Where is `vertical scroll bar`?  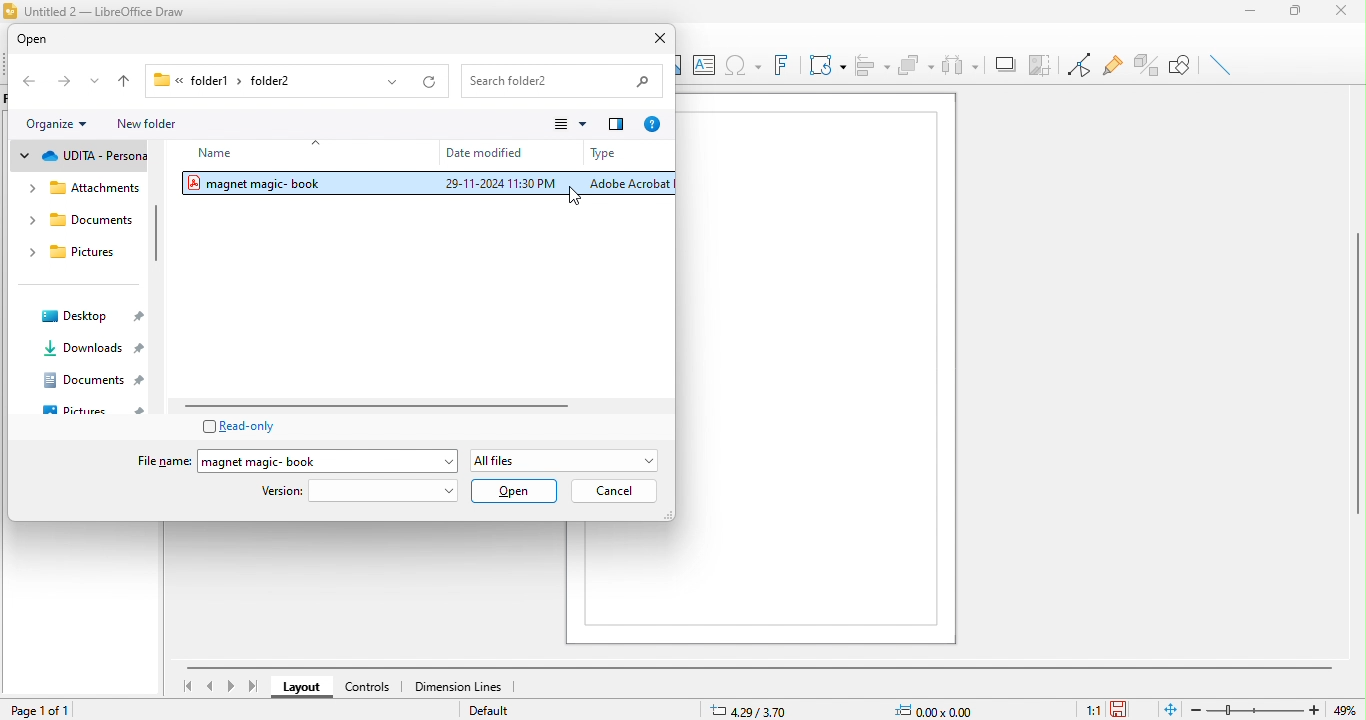
vertical scroll bar is located at coordinates (1357, 377).